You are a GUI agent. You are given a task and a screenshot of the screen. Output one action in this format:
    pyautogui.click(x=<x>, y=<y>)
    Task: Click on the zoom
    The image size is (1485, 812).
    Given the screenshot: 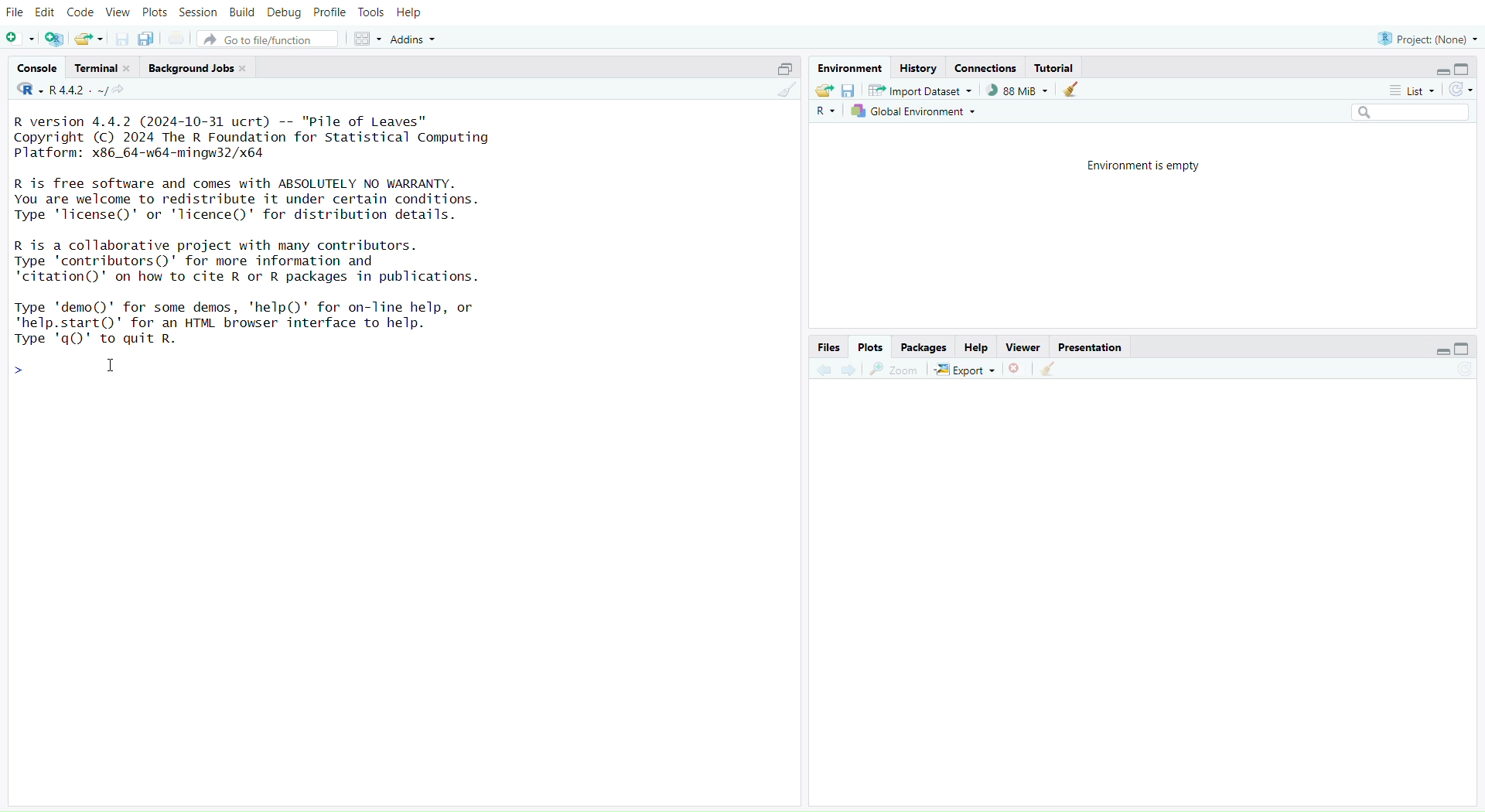 What is the action you would take?
    pyautogui.click(x=894, y=371)
    